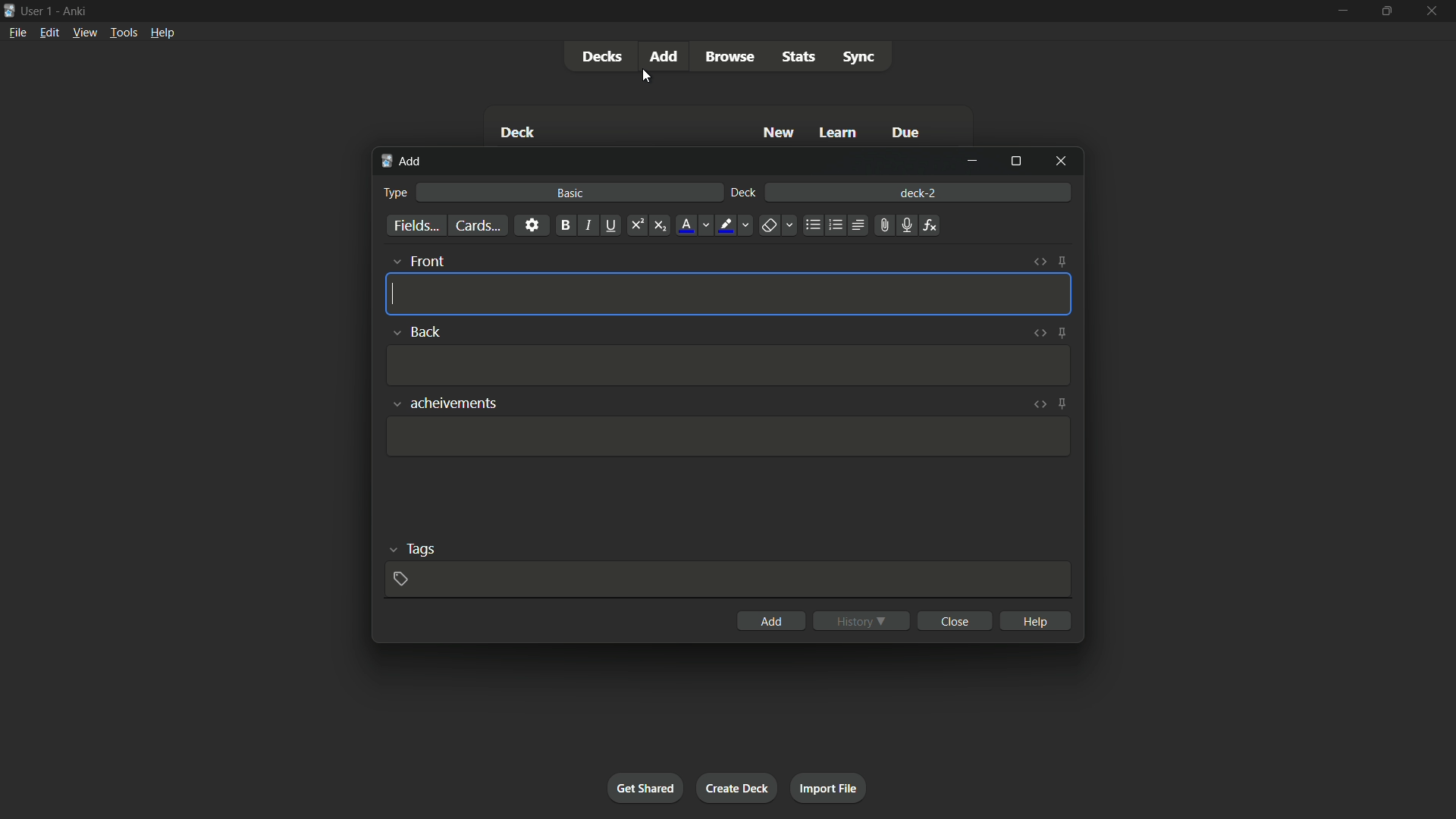 The width and height of the screenshot is (1456, 819). Describe the element at coordinates (74, 11) in the screenshot. I see `app name` at that location.